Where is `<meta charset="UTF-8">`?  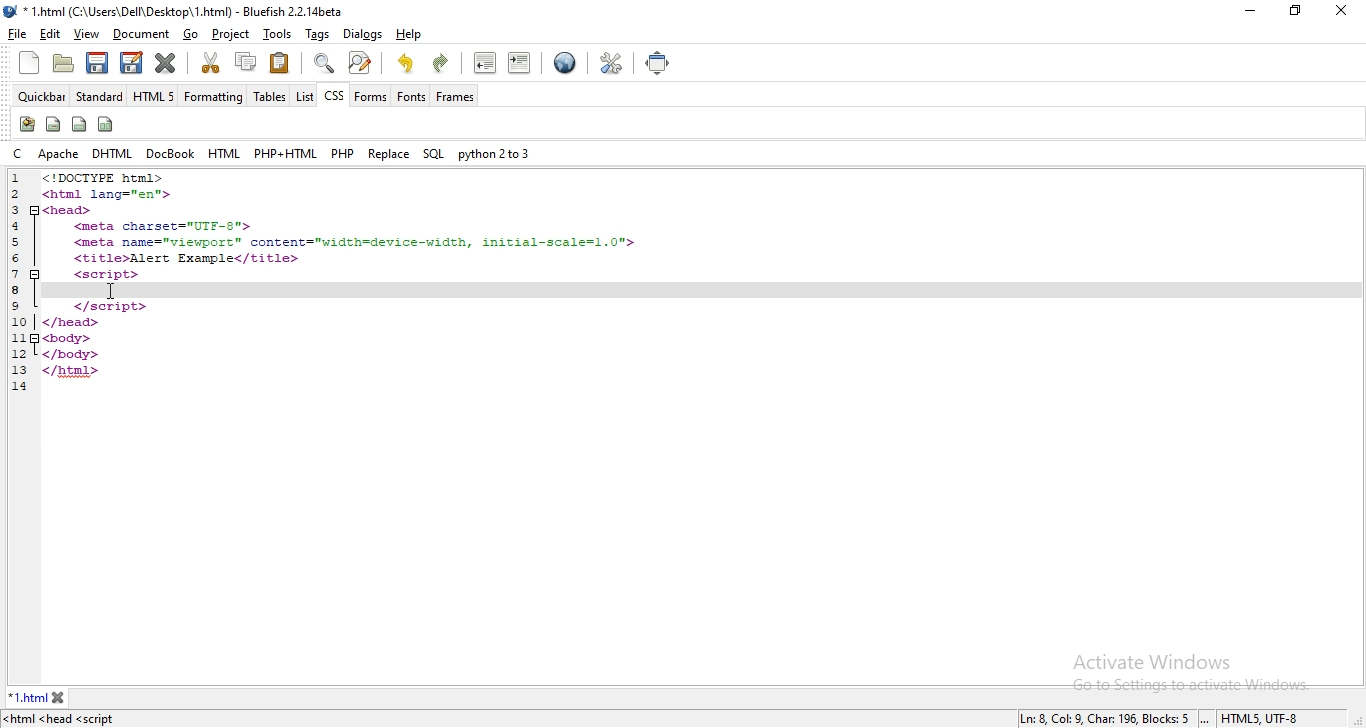
<meta charset="UTF-8"> is located at coordinates (166, 227).